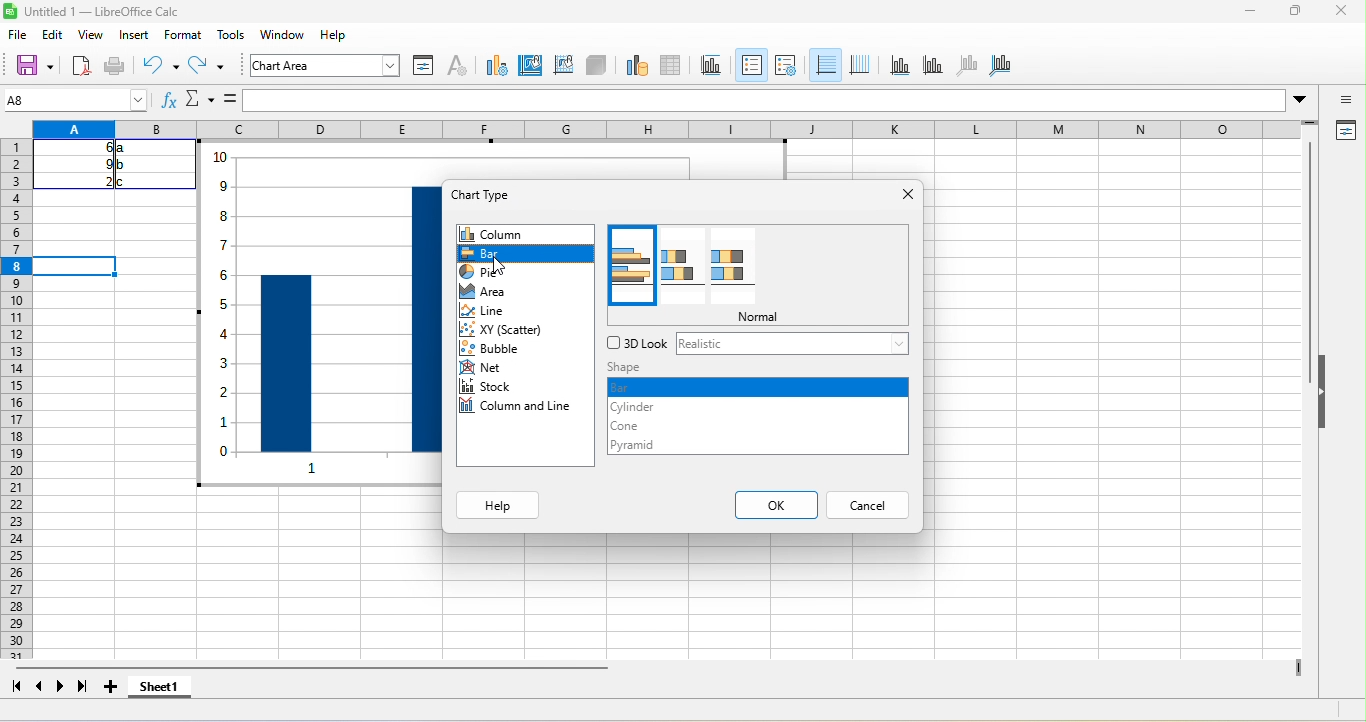 The height and width of the screenshot is (722, 1366). I want to click on b, so click(123, 166).